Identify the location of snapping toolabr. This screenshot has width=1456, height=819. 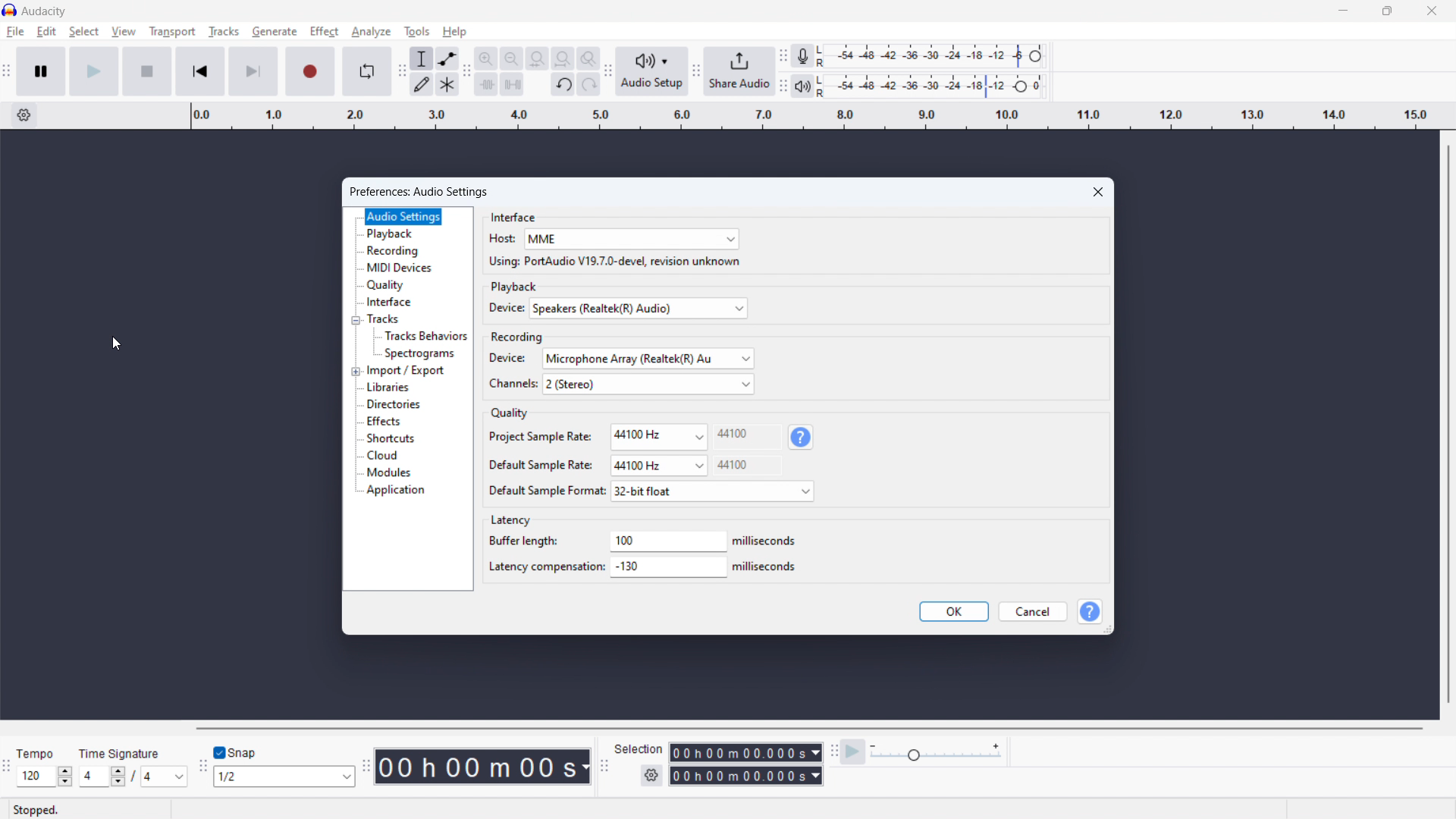
(202, 766).